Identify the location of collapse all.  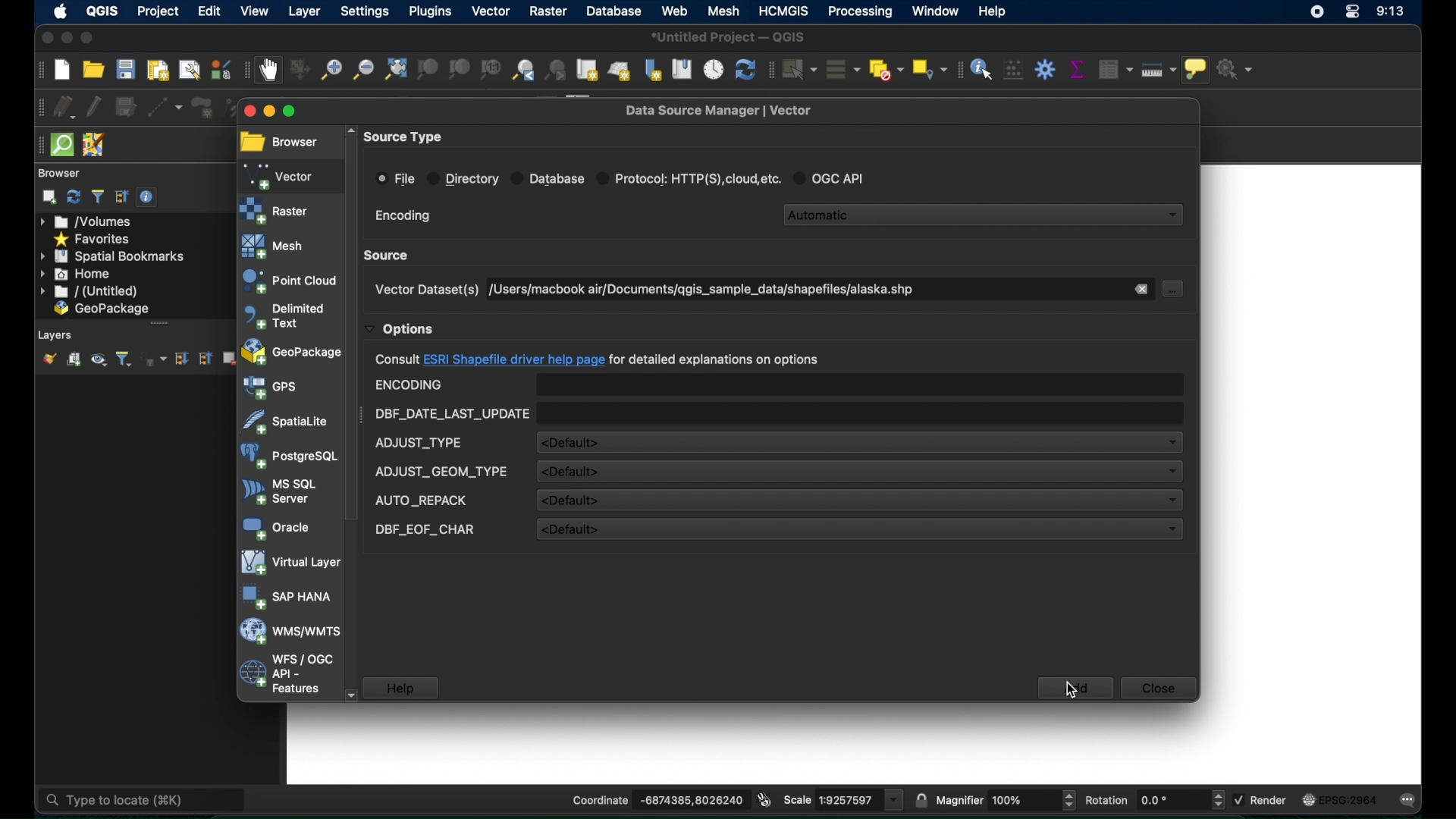
(206, 360).